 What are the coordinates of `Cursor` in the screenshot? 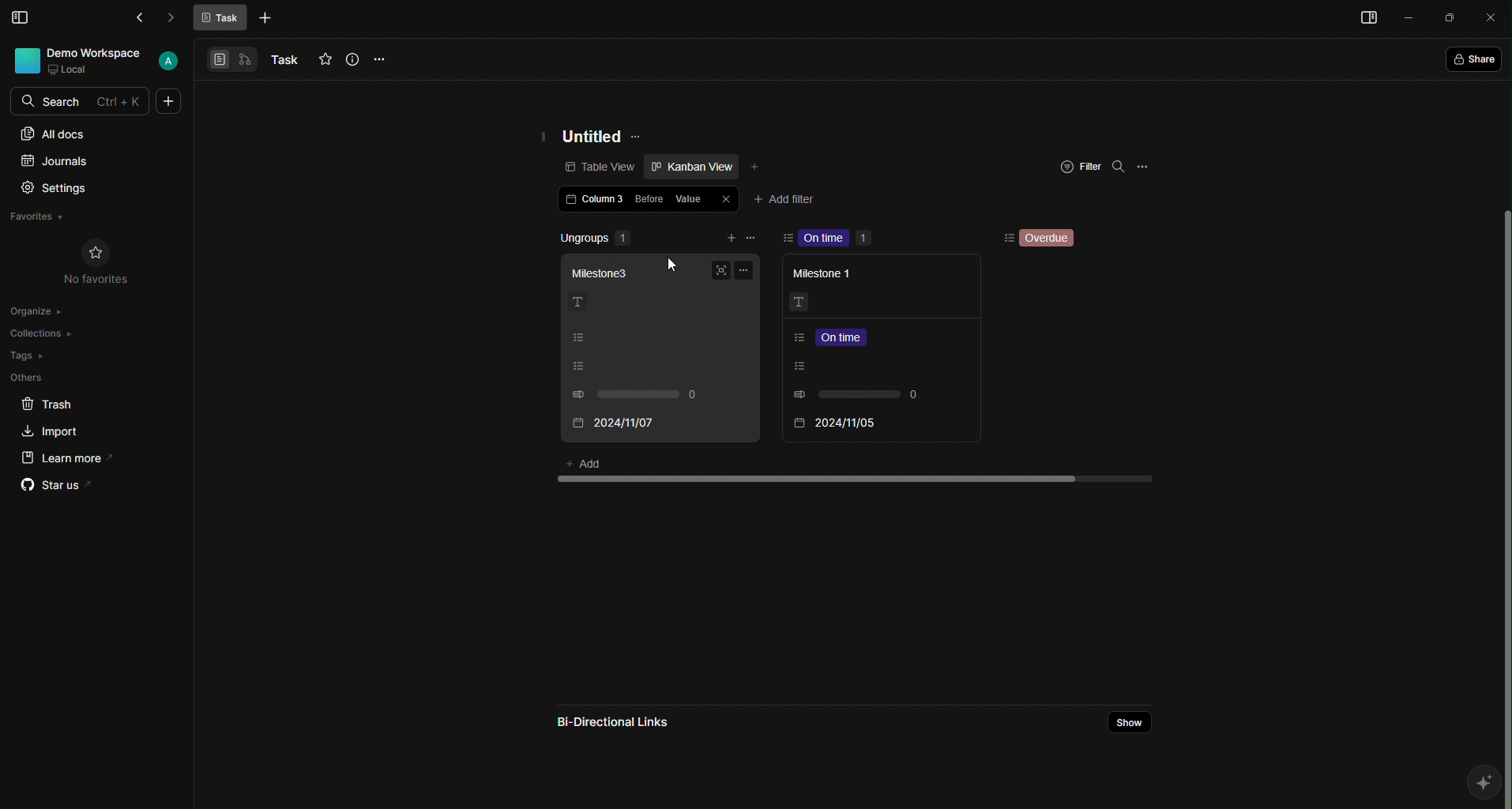 It's located at (671, 268).